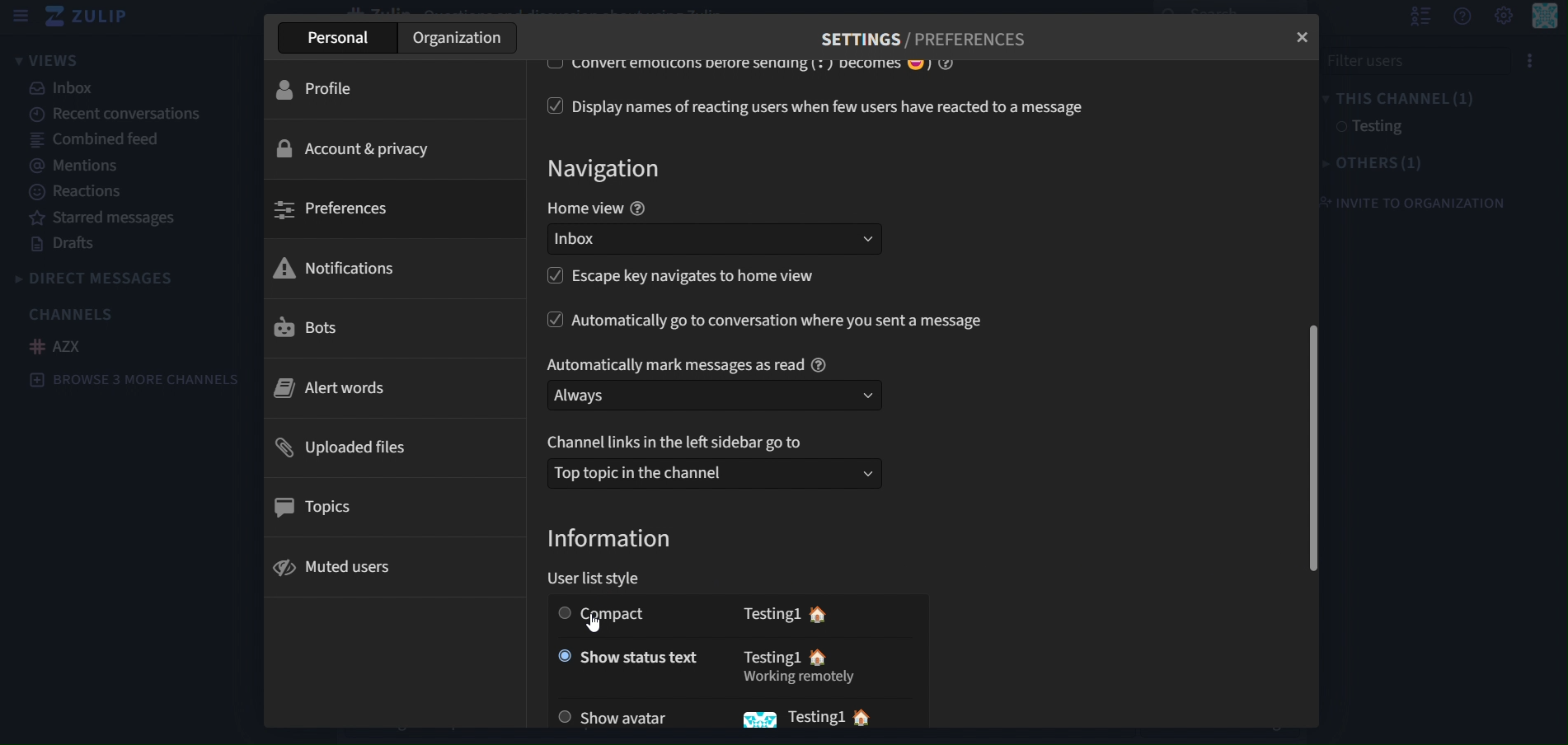  Describe the element at coordinates (1316, 452) in the screenshot. I see `vertical scrollbar` at that location.